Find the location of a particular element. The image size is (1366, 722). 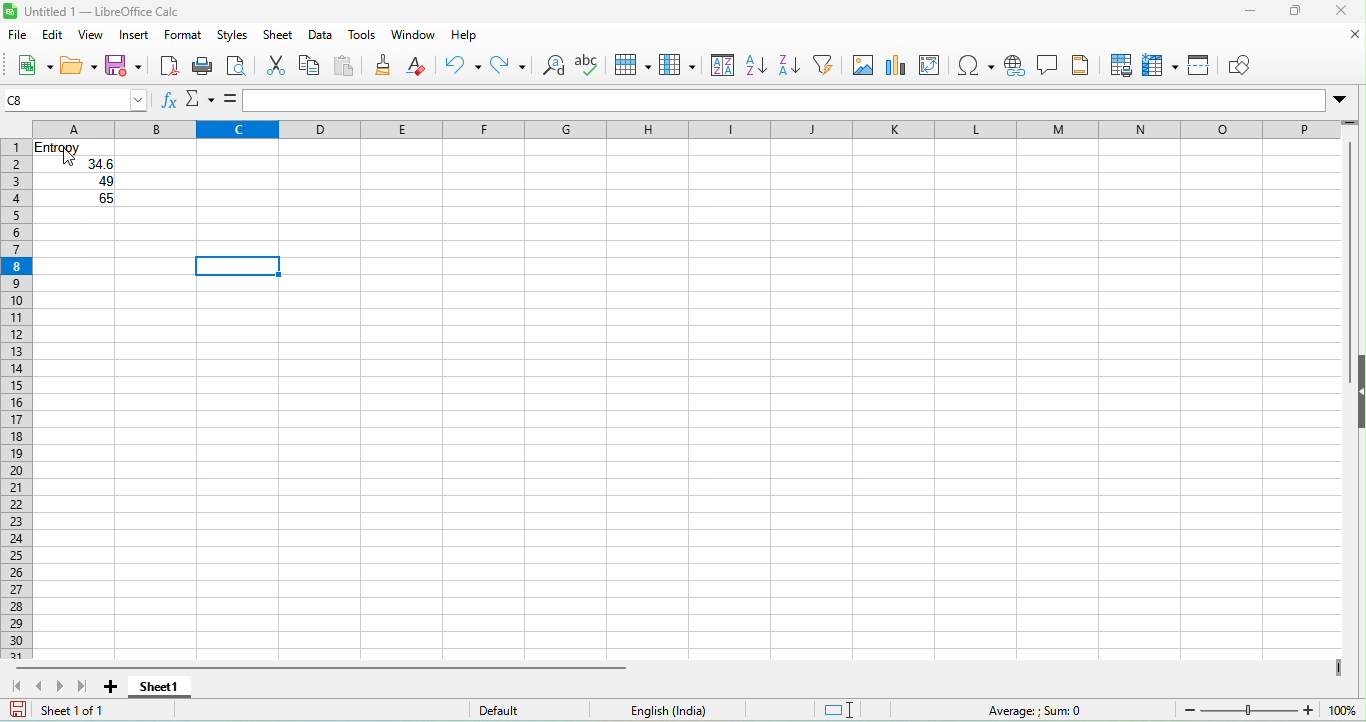

view is located at coordinates (93, 36).